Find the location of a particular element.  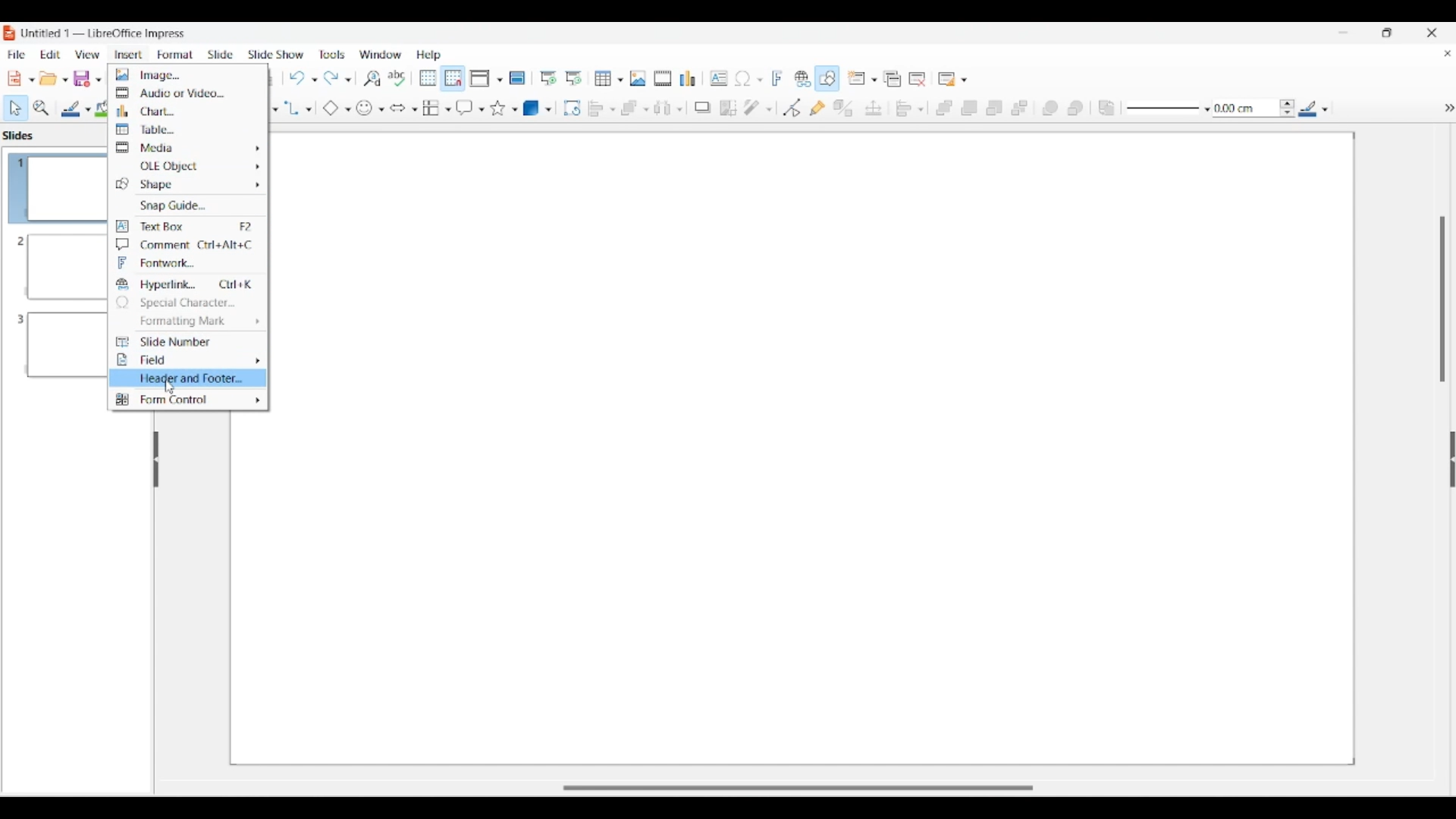

Insert image is located at coordinates (638, 78).